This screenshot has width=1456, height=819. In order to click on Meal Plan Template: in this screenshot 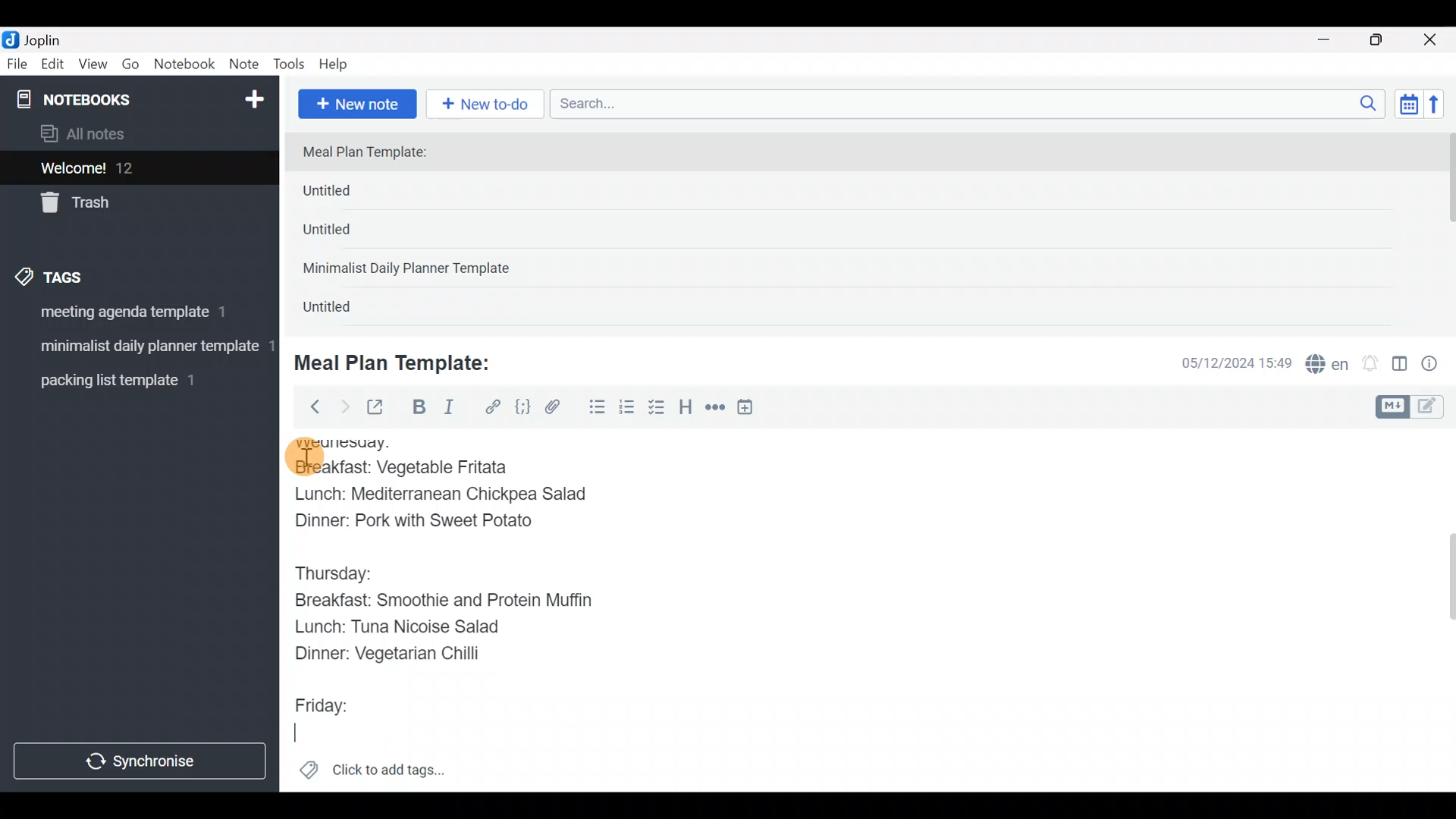, I will do `click(374, 153)`.